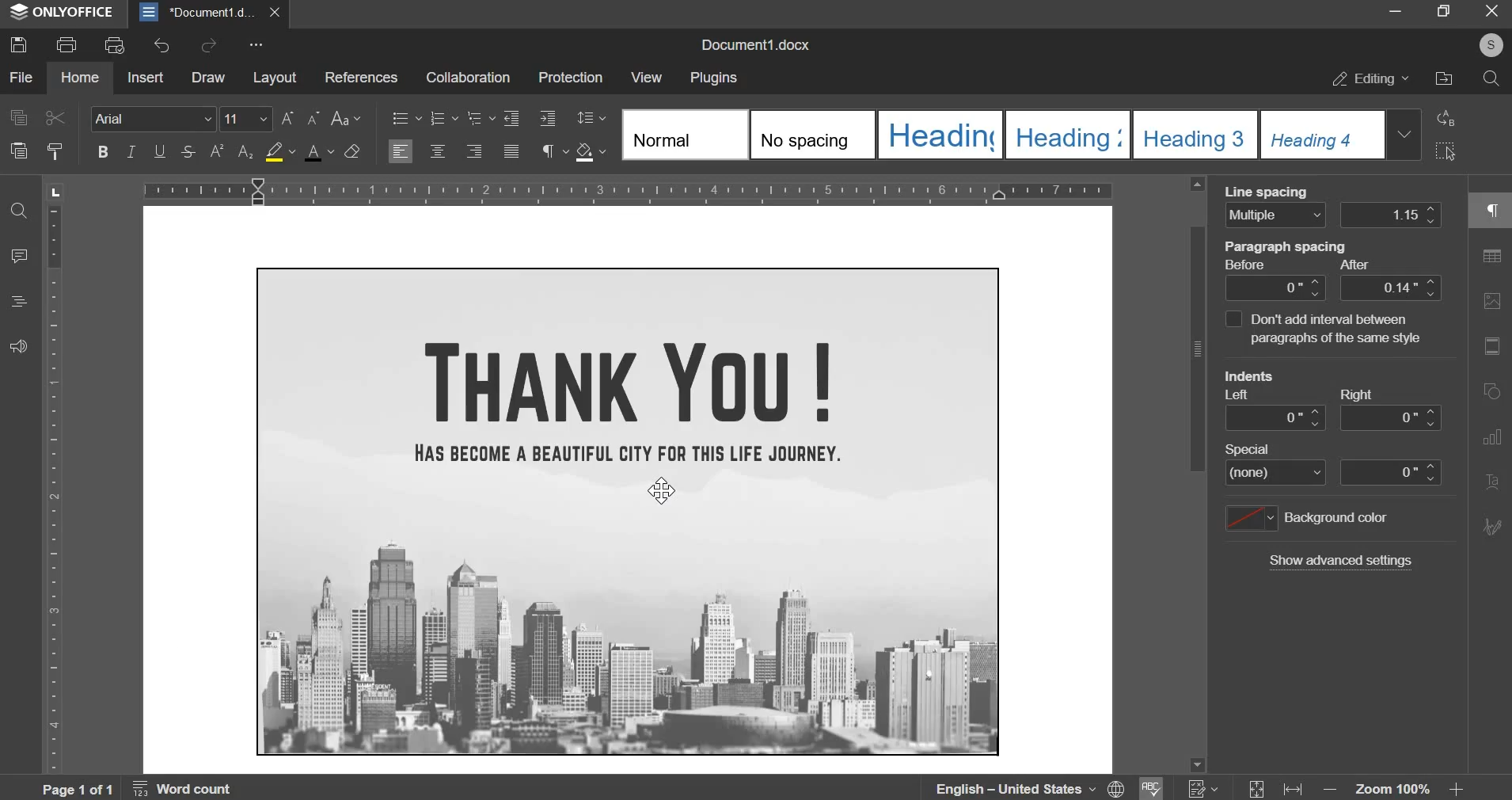  What do you see at coordinates (1488, 211) in the screenshot?
I see `Paragraph settings` at bounding box center [1488, 211].